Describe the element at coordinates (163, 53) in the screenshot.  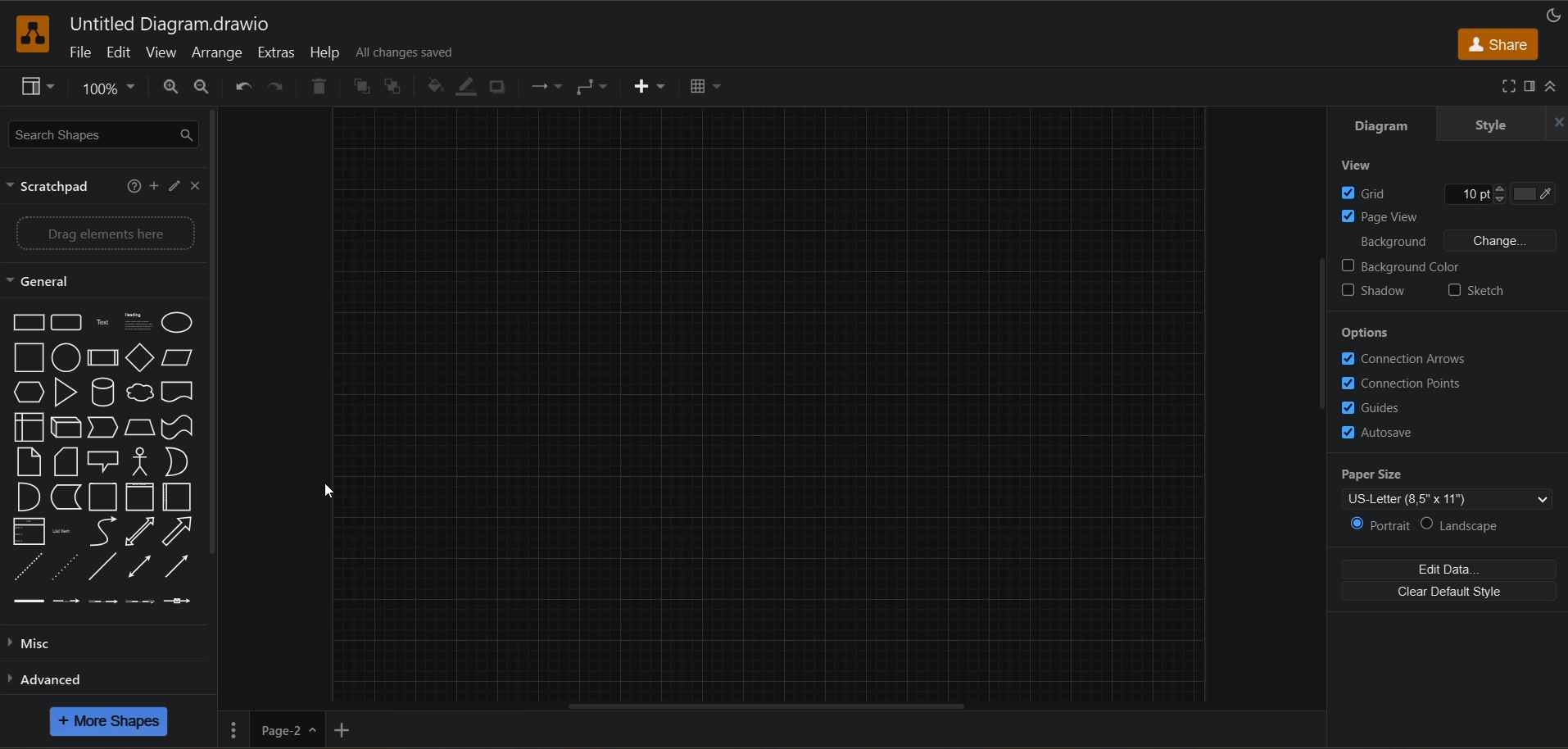
I see `view` at that location.